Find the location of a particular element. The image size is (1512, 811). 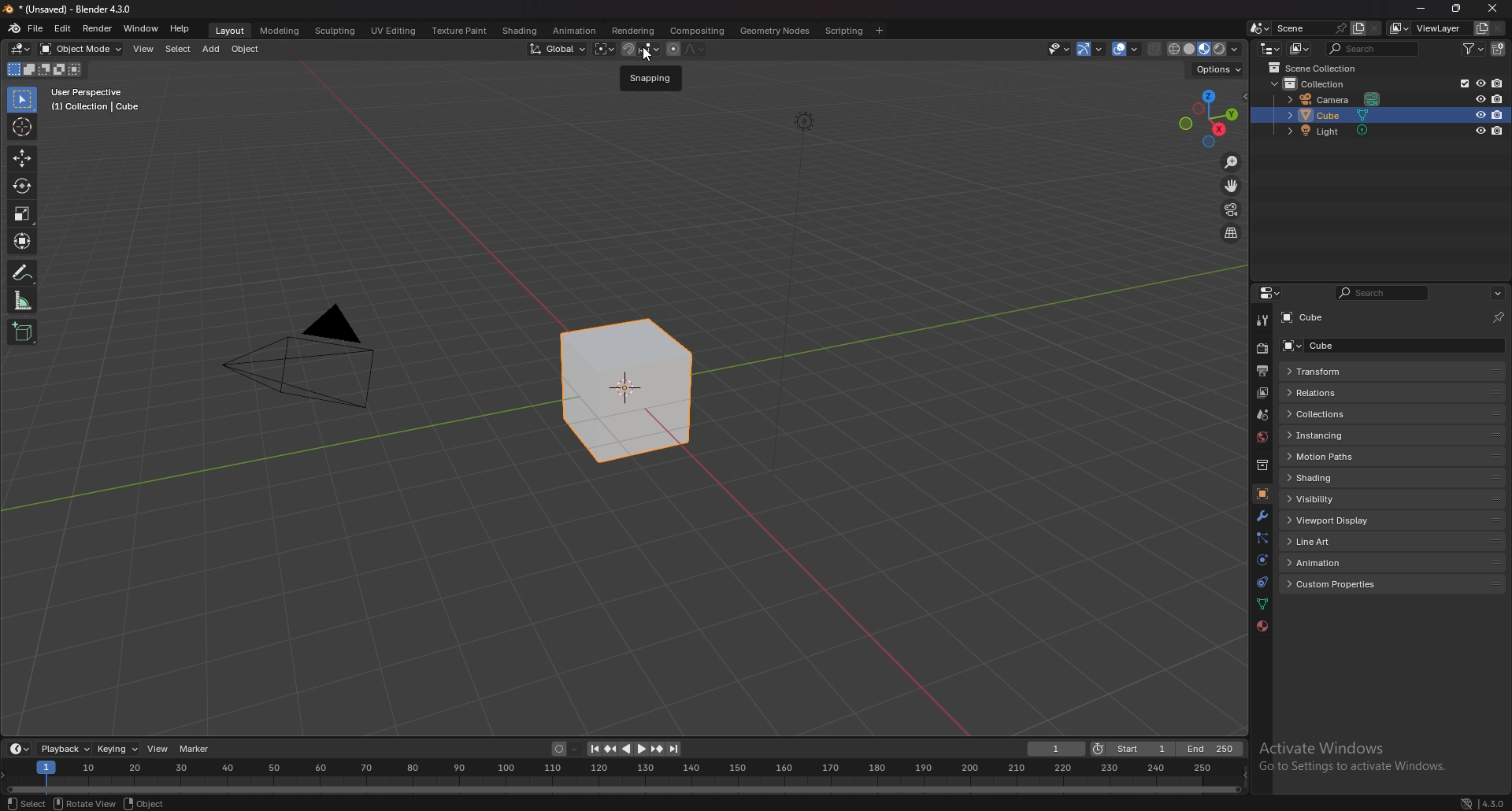

shading is located at coordinates (1340, 477).